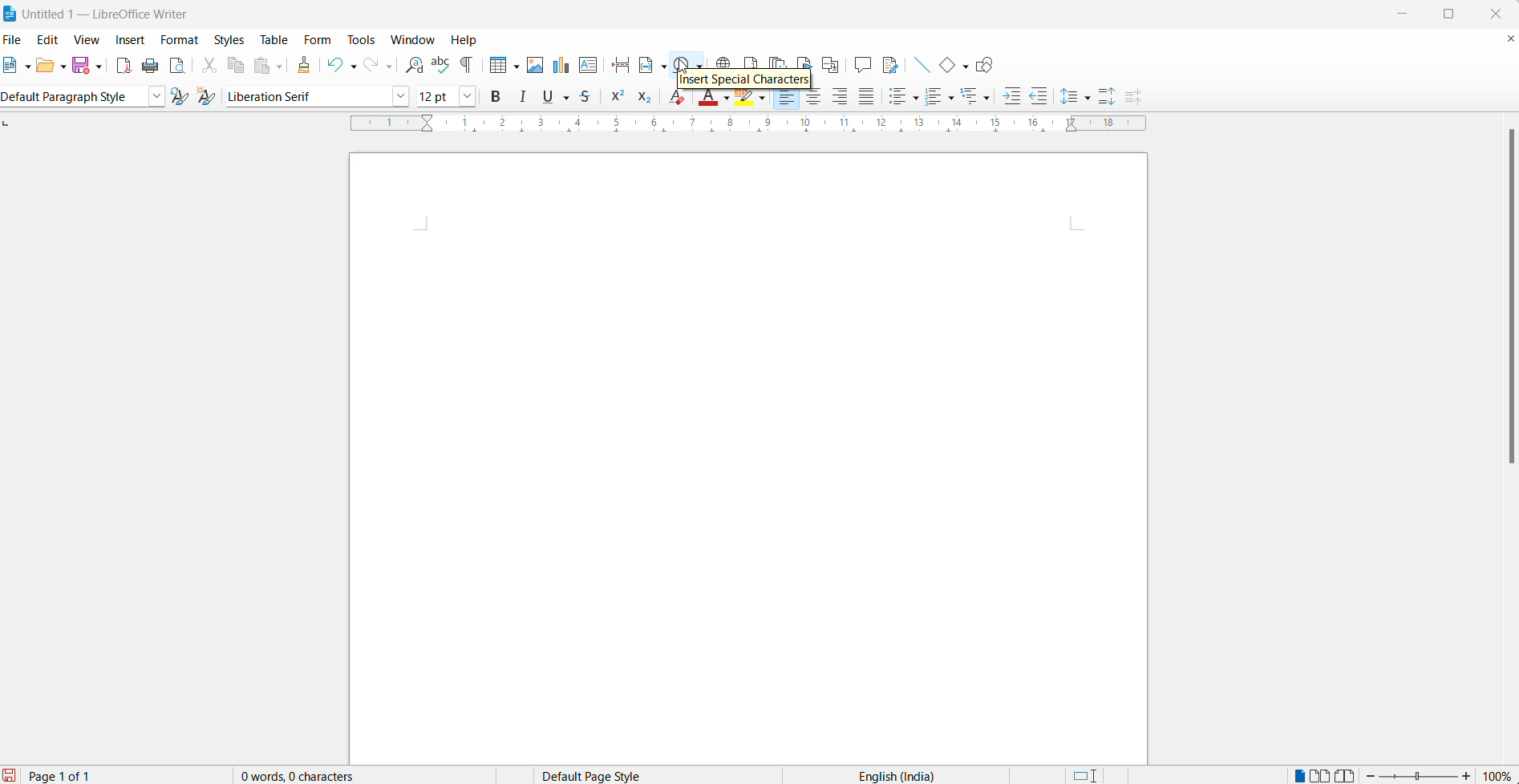 The width and height of the screenshot is (1519, 784). What do you see at coordinates (363, 41) in the screenshot?
I see `tools` at bounding box center [363, 41].